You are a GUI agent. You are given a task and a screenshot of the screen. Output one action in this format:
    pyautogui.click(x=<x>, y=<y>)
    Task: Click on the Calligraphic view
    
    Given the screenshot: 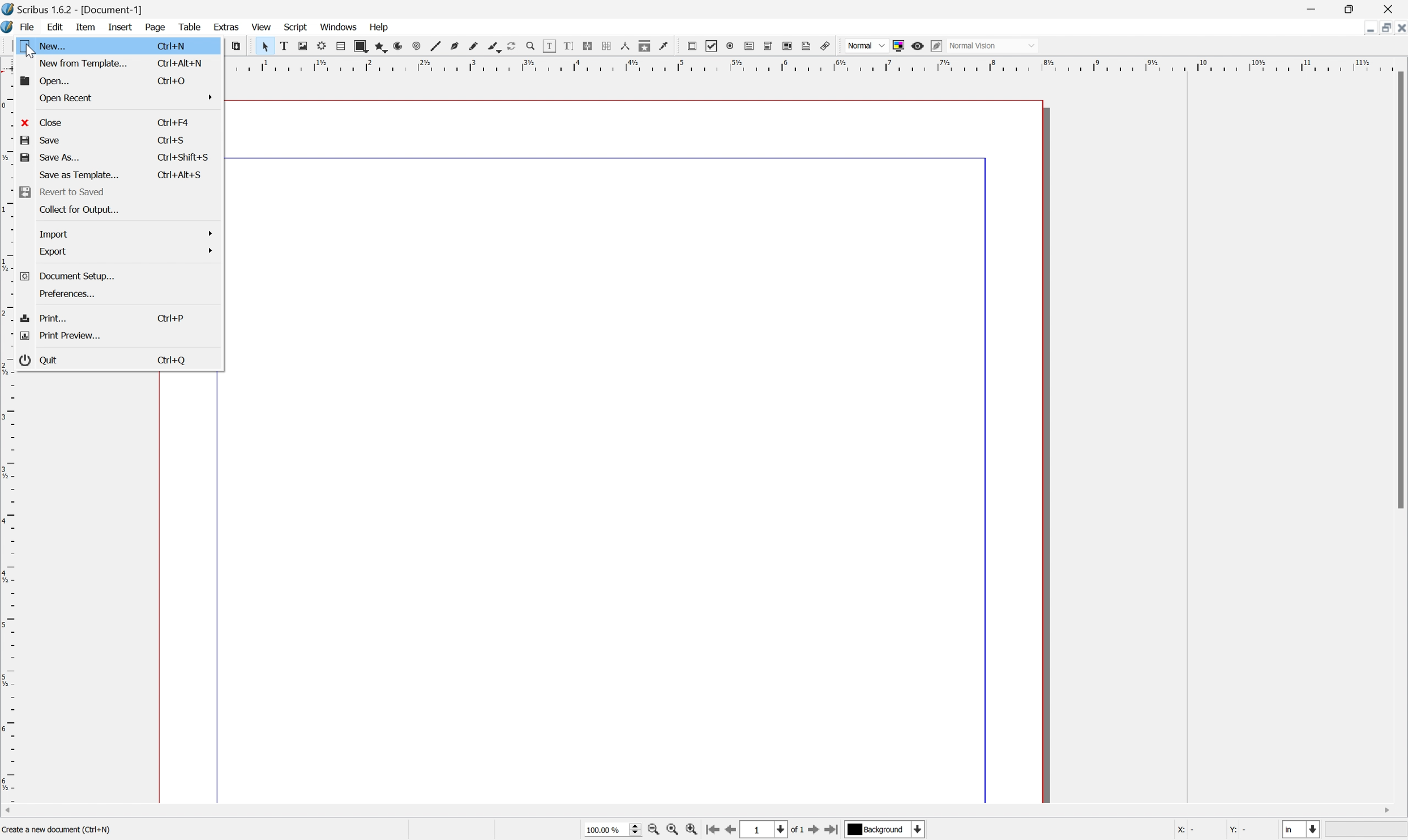 What is the action you would take?
    pyautogui.click(x=491, y=46)
    